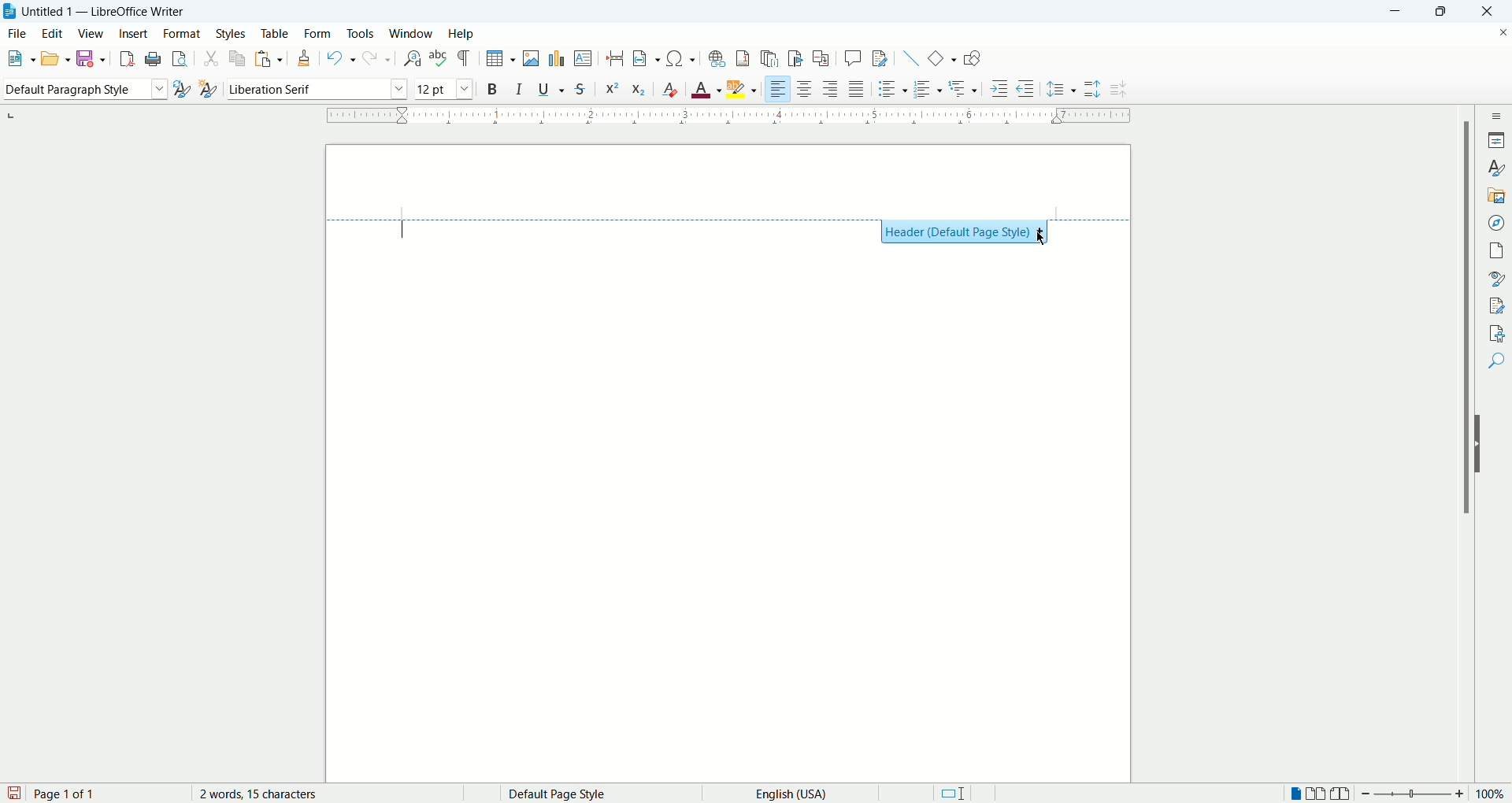  What do you see at coordinates (776, 87) in the screenshot?
I see `left align` at bounding box center [776, 87].